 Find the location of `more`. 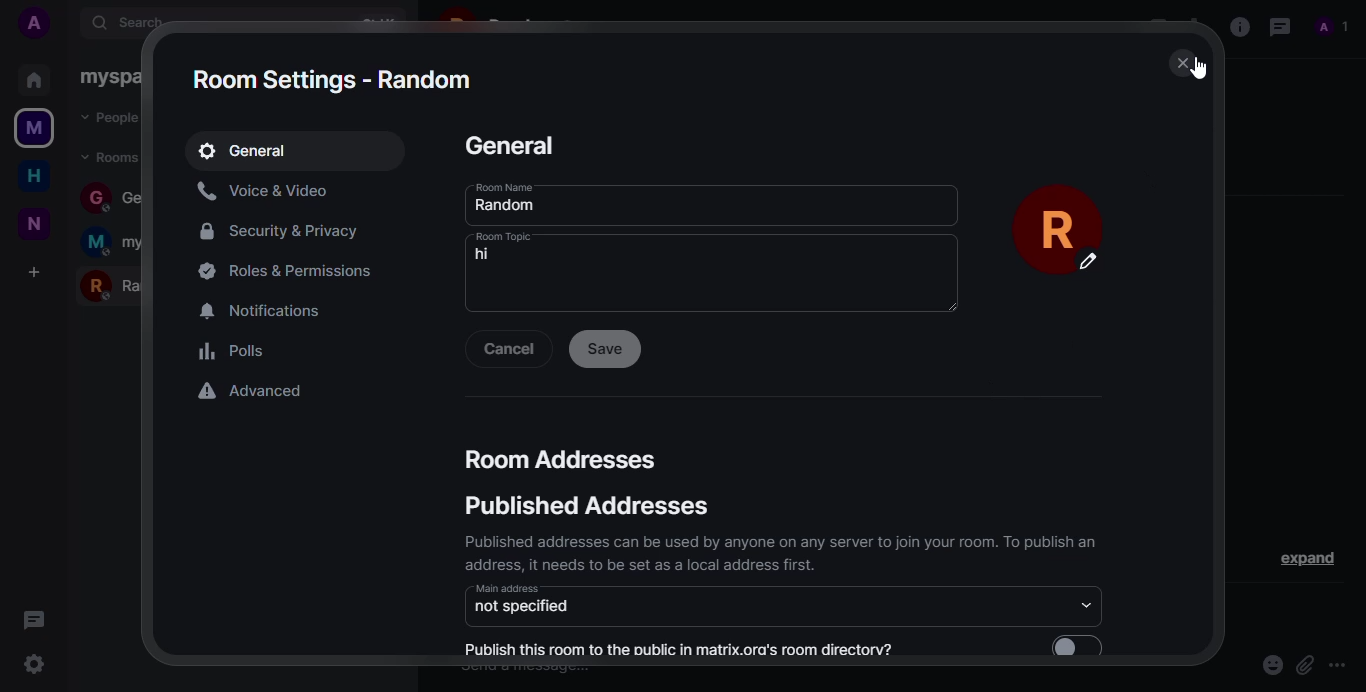

more is located at coordinates (1337, 666).